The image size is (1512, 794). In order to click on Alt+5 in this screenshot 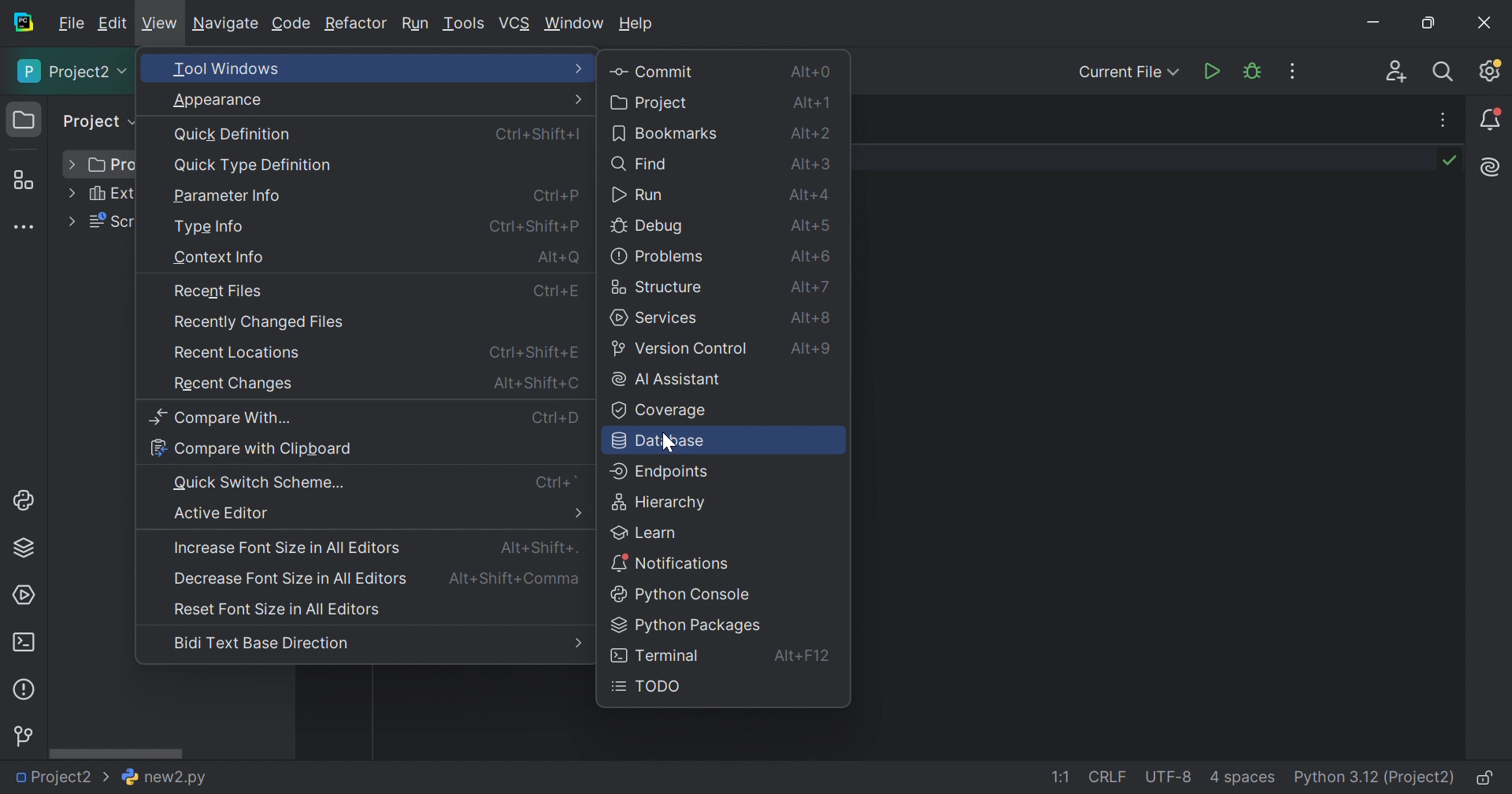, I will do `click(807, 226)`.